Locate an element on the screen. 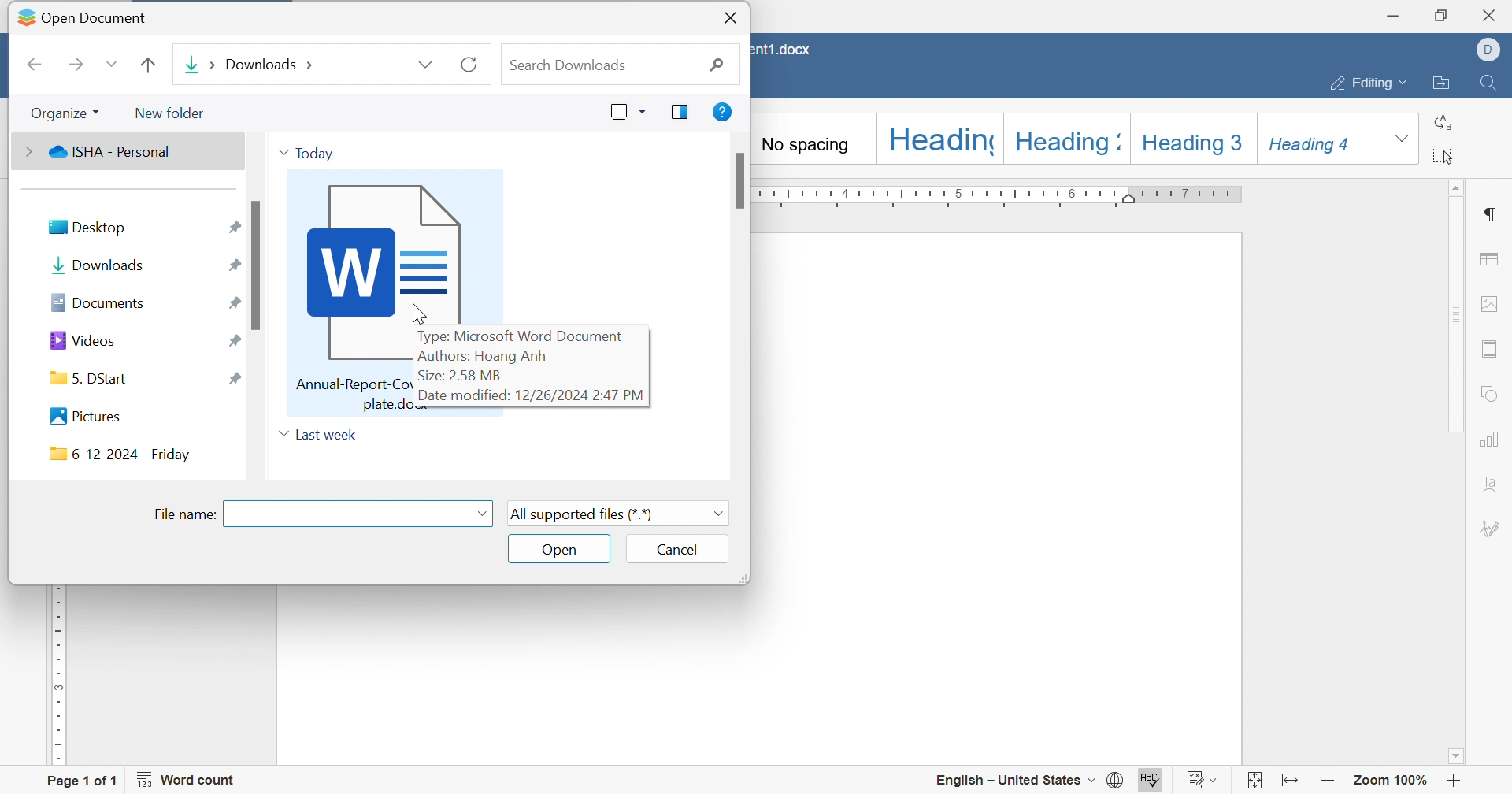 The image size is (1512, 794). minimize is located at coordinates (1398, 13).